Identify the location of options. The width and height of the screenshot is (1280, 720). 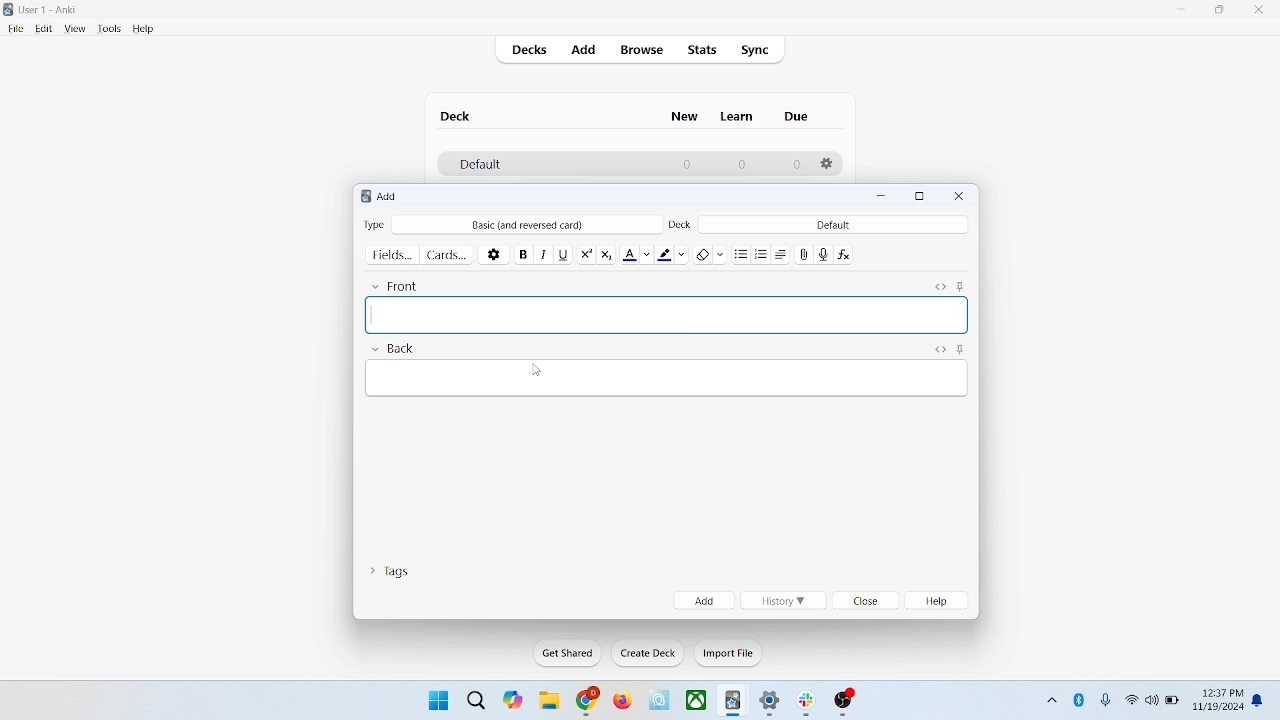
(495, 253).